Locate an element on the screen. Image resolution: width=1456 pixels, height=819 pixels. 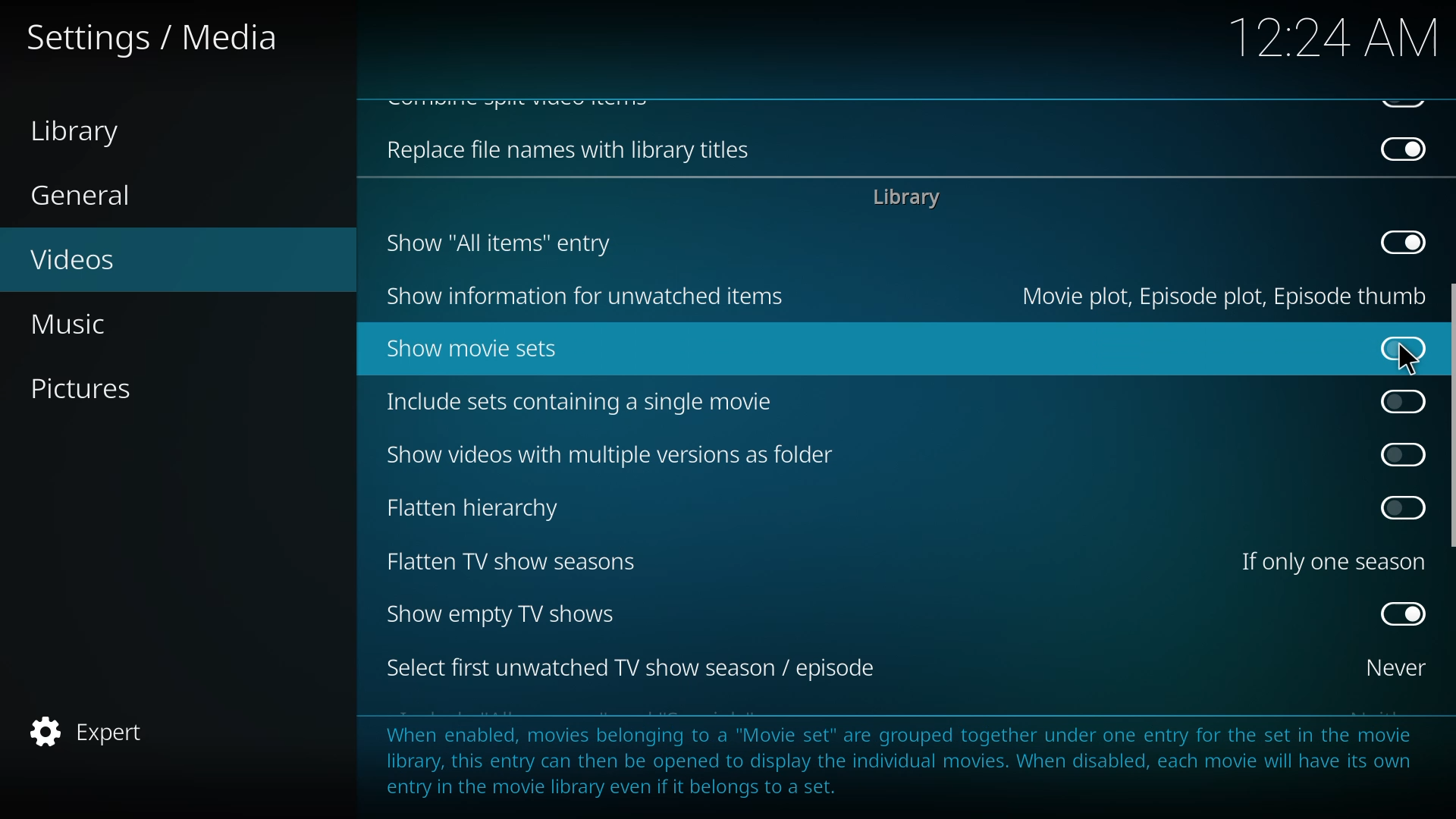
show empty tv shows is located at coordinates (501, 614).